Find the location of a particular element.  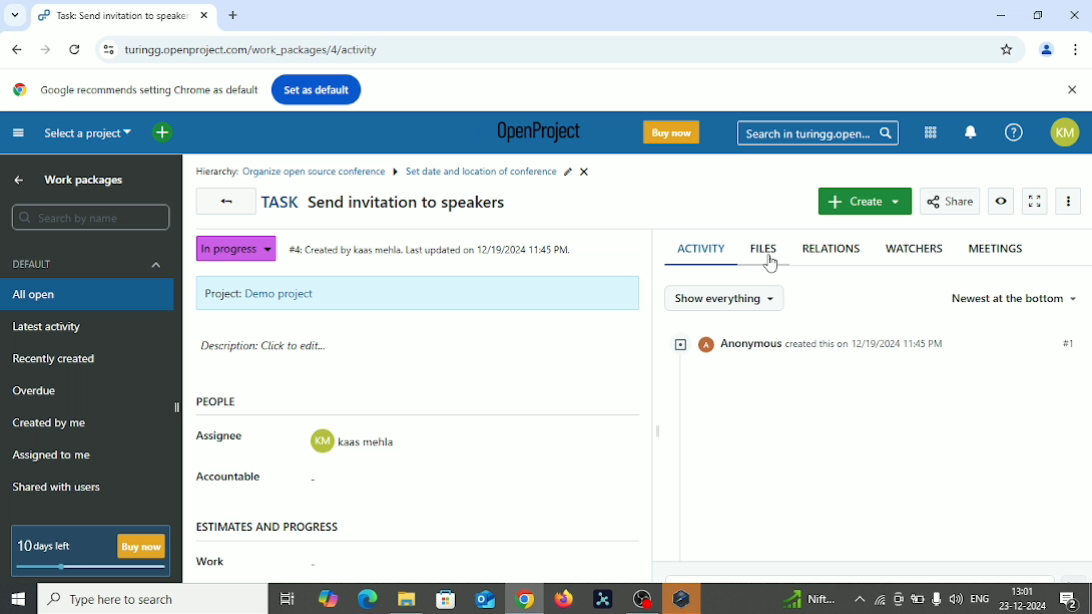

Back is located at coordinates (227, 202).